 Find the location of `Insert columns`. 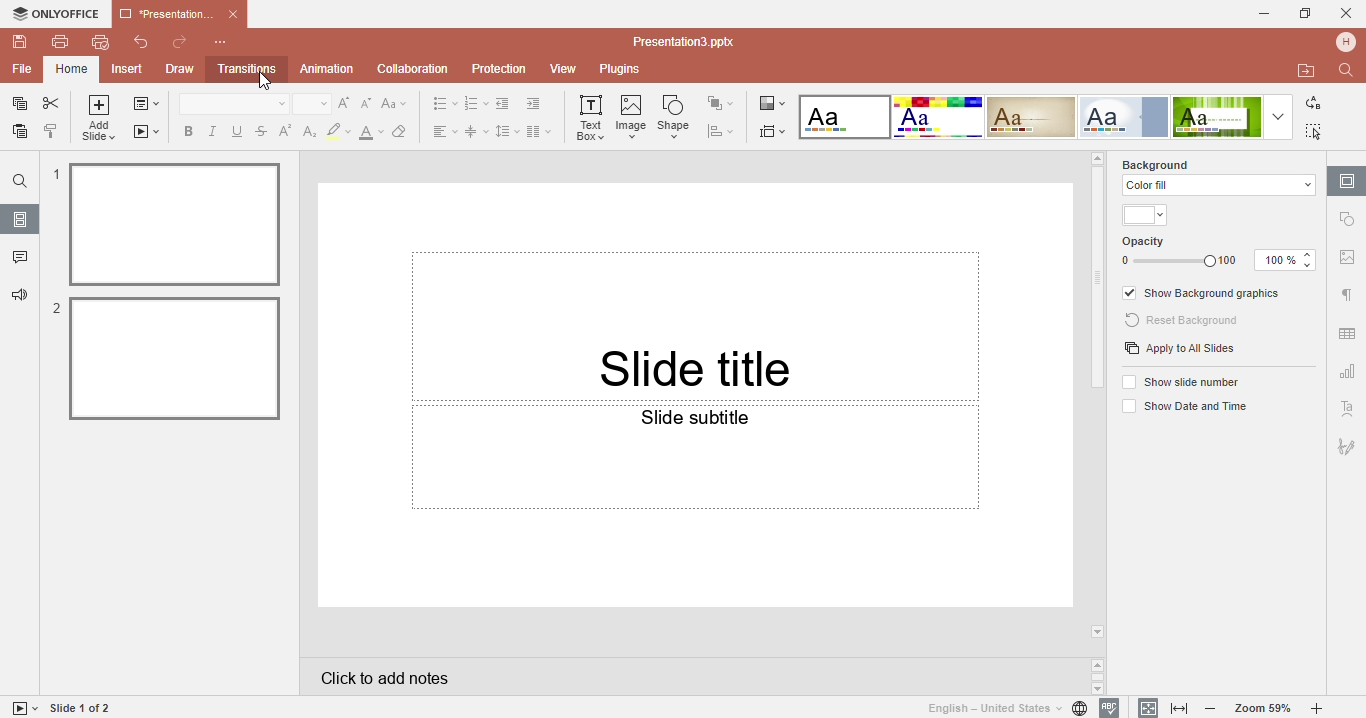

Insert columns is located at coordinates (540, 130).